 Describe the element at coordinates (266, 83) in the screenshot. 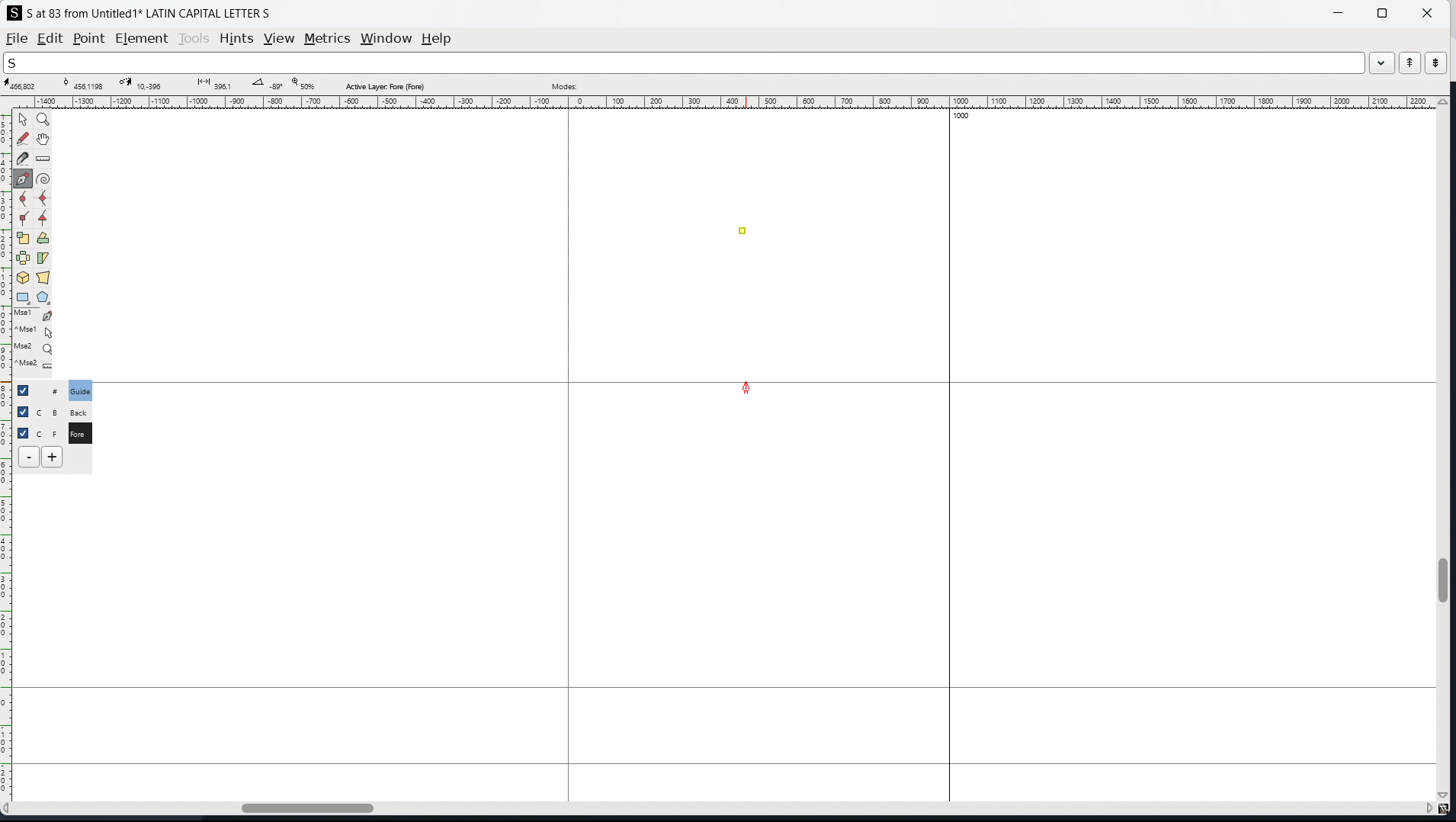

I see `angle between points` at that location.